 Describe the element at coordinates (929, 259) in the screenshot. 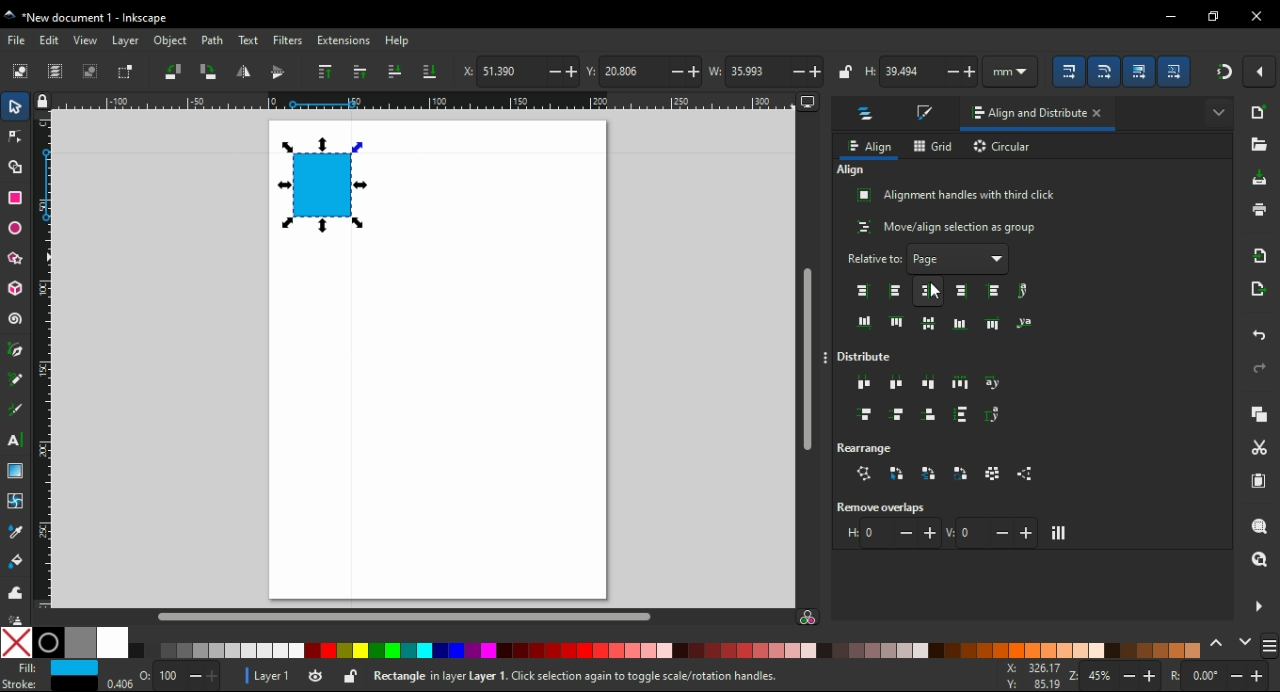

I see `relative to` at that location.